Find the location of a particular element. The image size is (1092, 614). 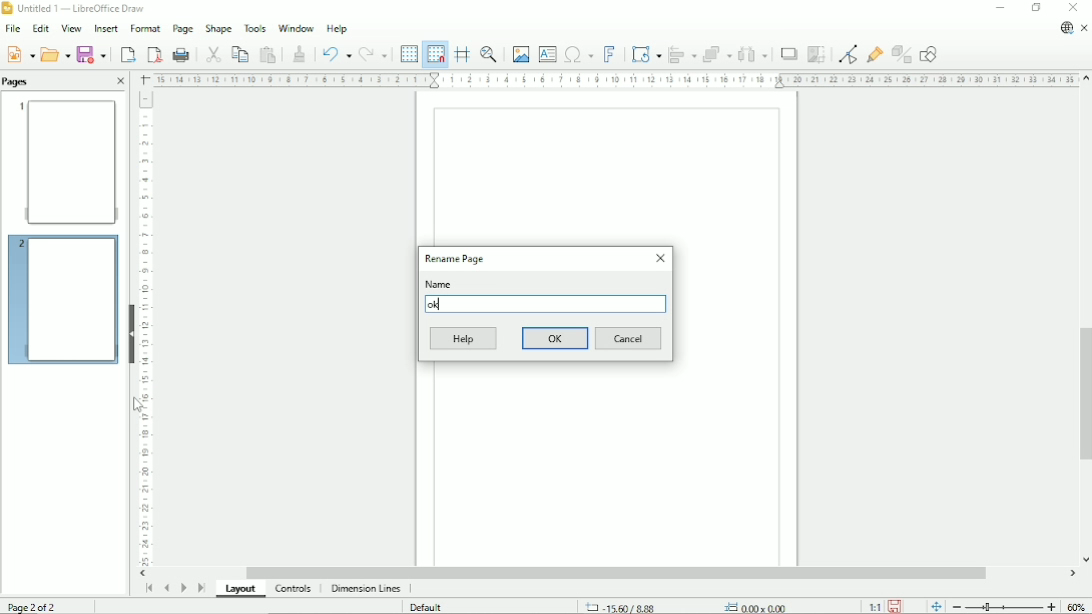

Page added is located at coordinates (61, 297).